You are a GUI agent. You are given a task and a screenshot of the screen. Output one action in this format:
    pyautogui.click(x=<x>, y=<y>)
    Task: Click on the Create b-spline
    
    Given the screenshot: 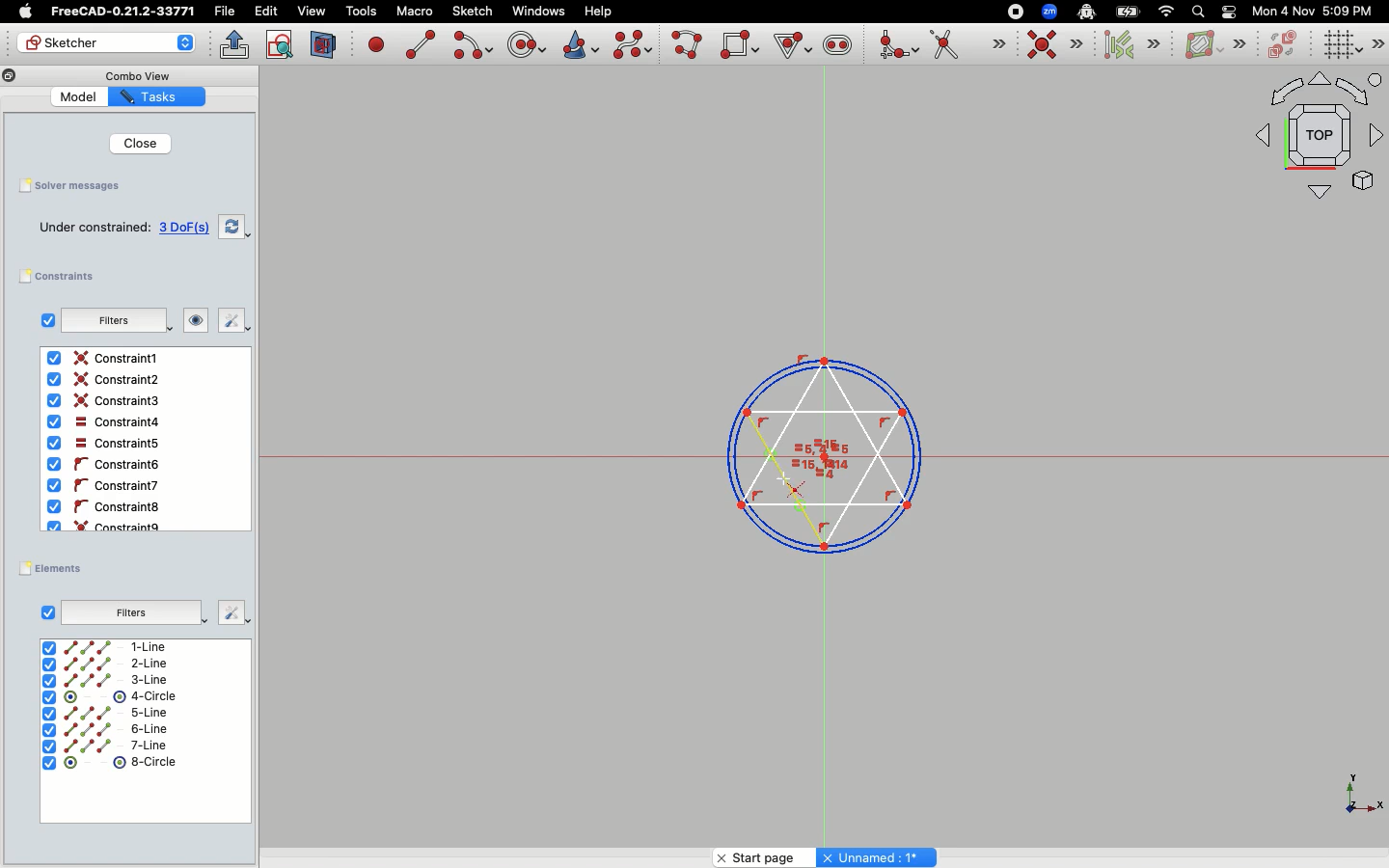 What is the action you would take?
    pyautogui.click(x=633, y=44)
    